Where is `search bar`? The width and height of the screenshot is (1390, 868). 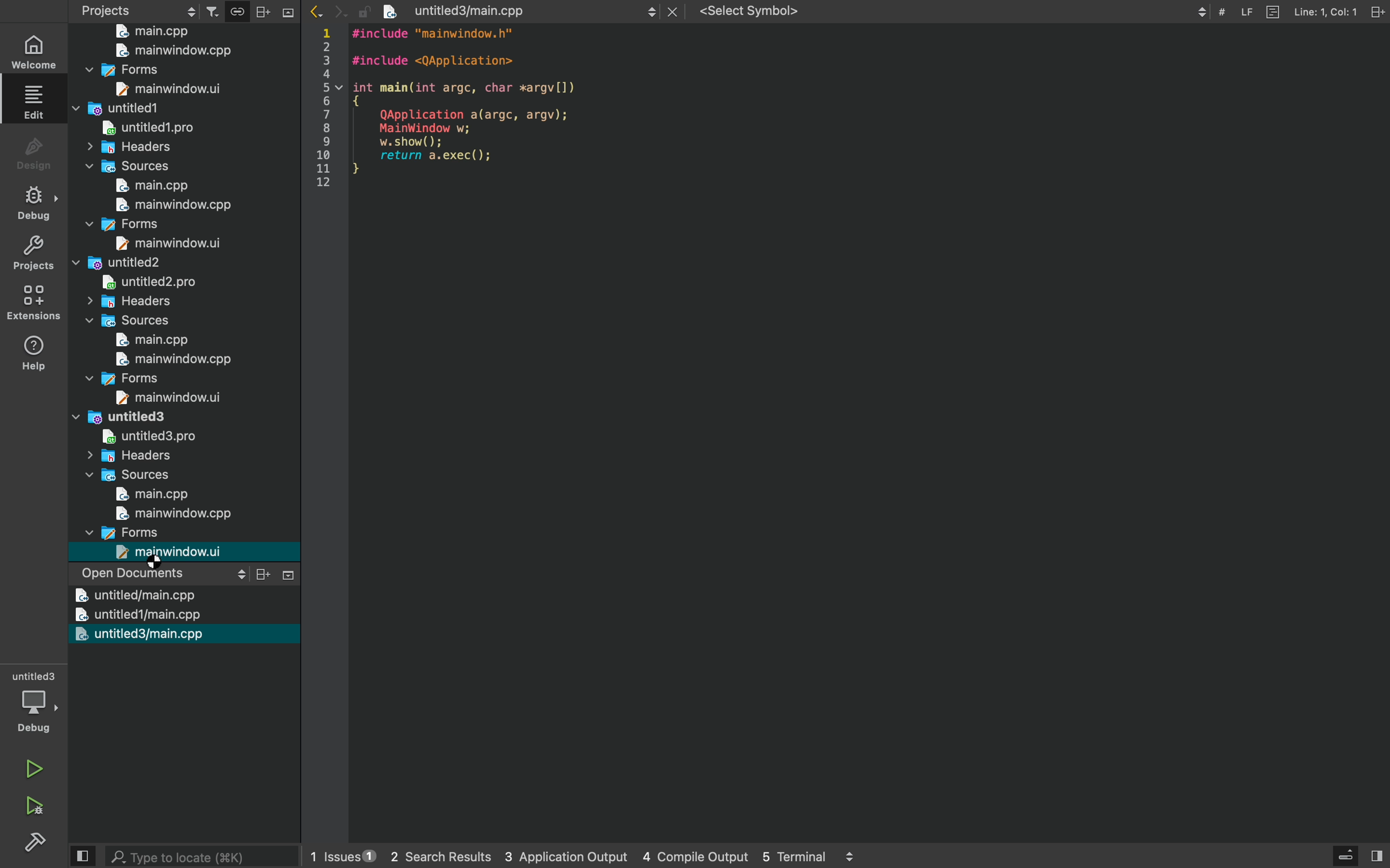 search bar is located at coordinates (188, 856).